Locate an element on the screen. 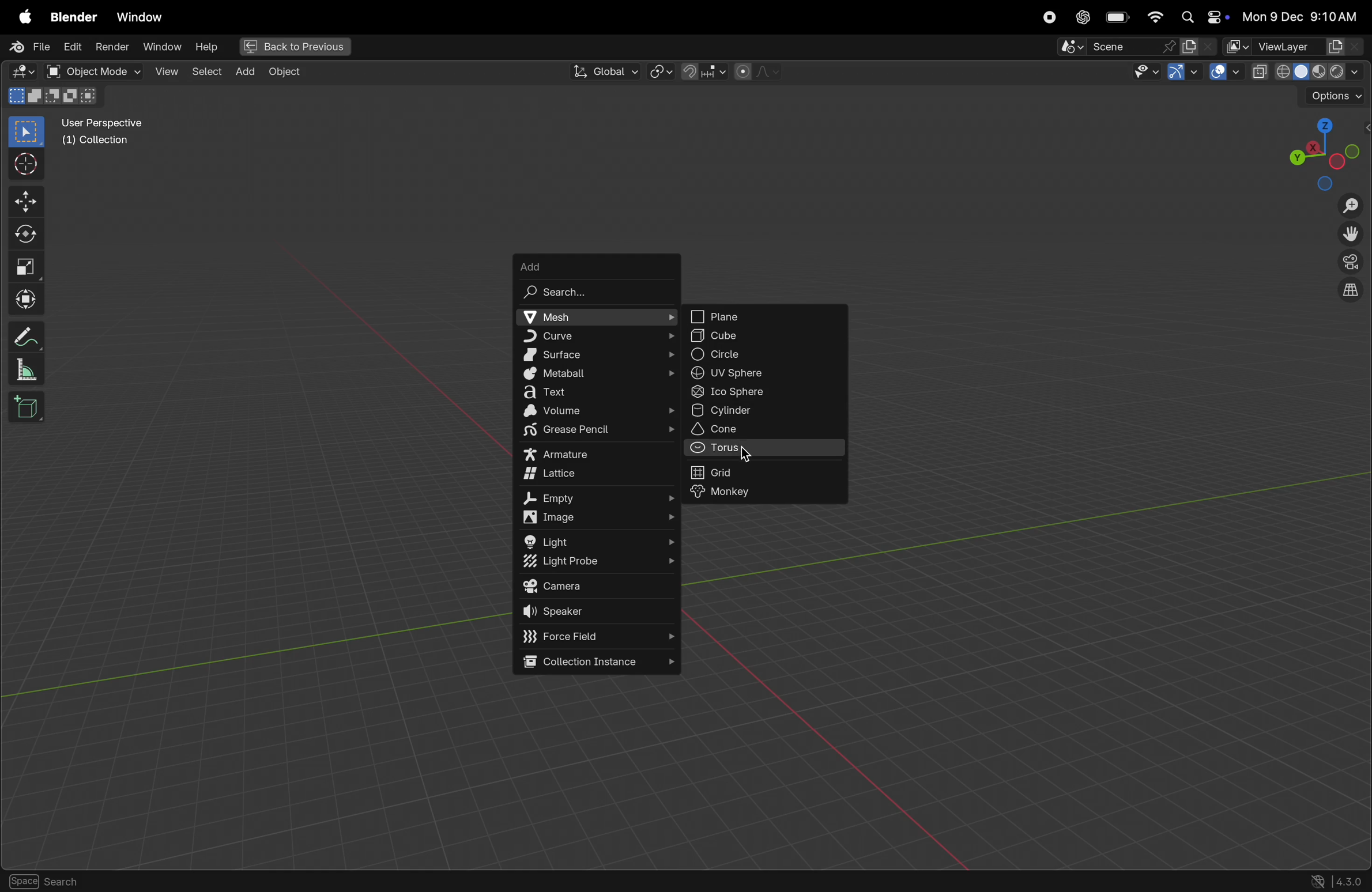  meta ball is located at coordinates (595, 375).